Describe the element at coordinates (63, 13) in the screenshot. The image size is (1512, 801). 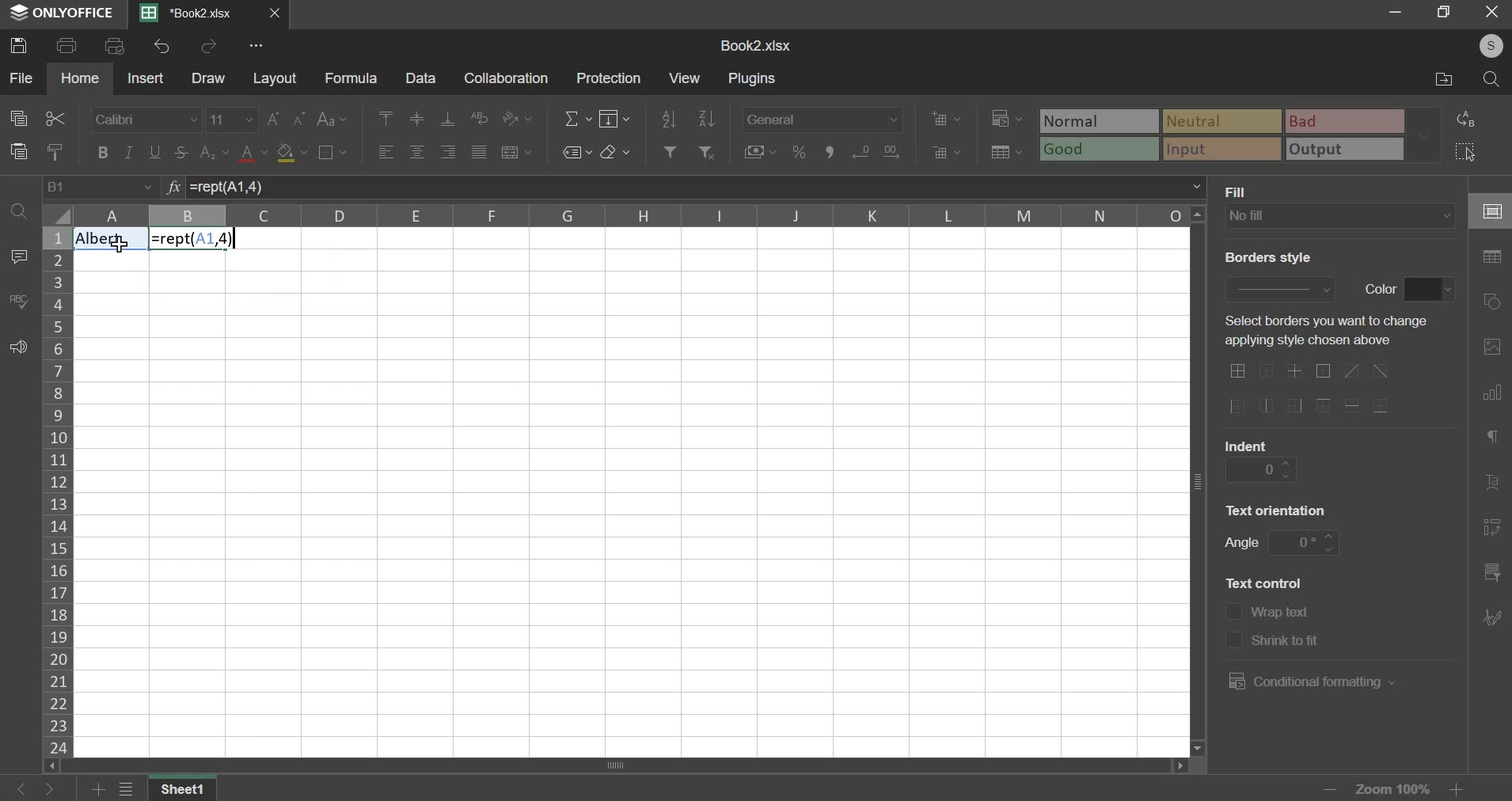
I see `ONLYOFFICE logo` at that location.